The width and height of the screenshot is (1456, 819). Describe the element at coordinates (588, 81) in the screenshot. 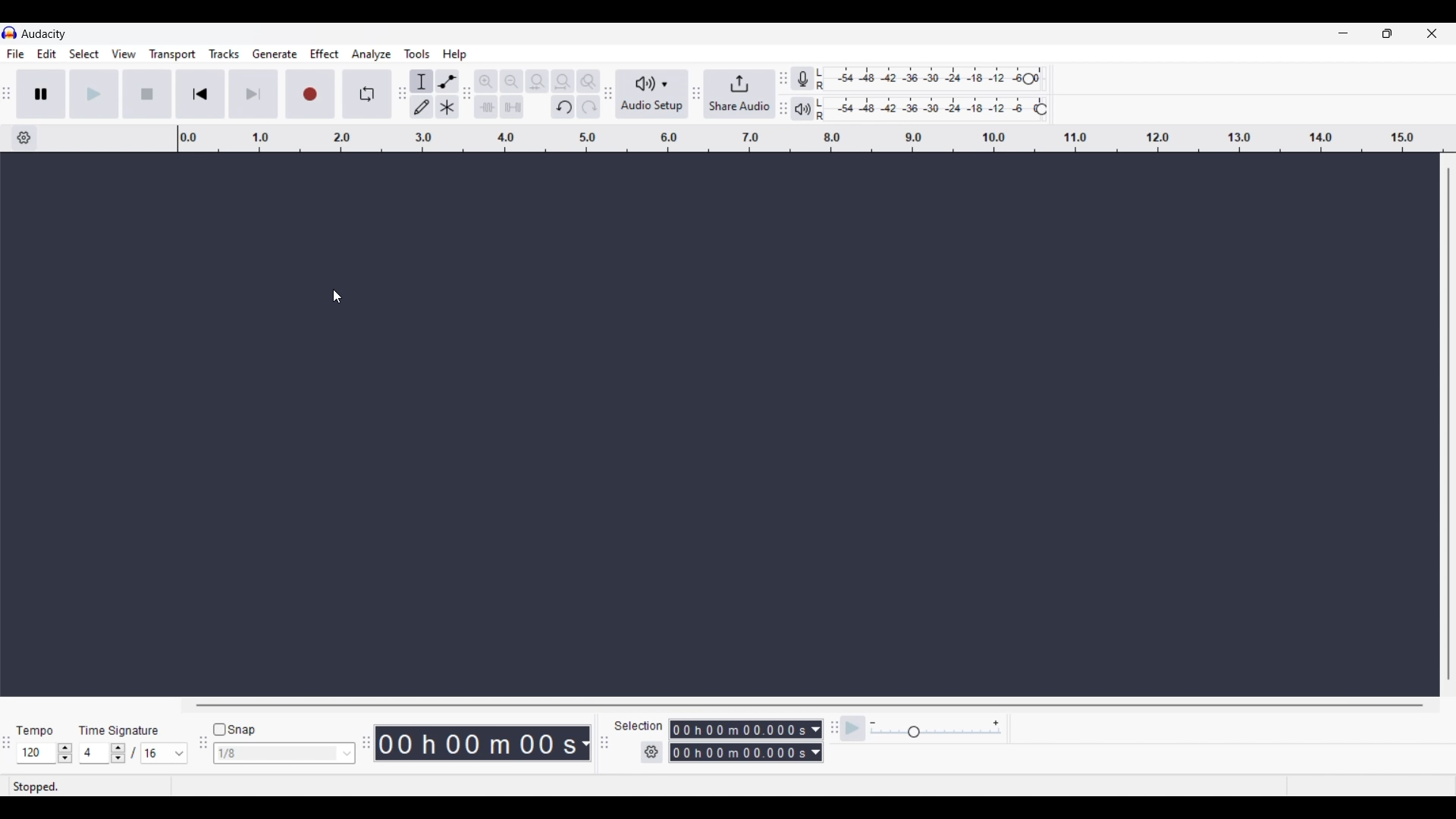

I see `Zoom toggle` at that location.